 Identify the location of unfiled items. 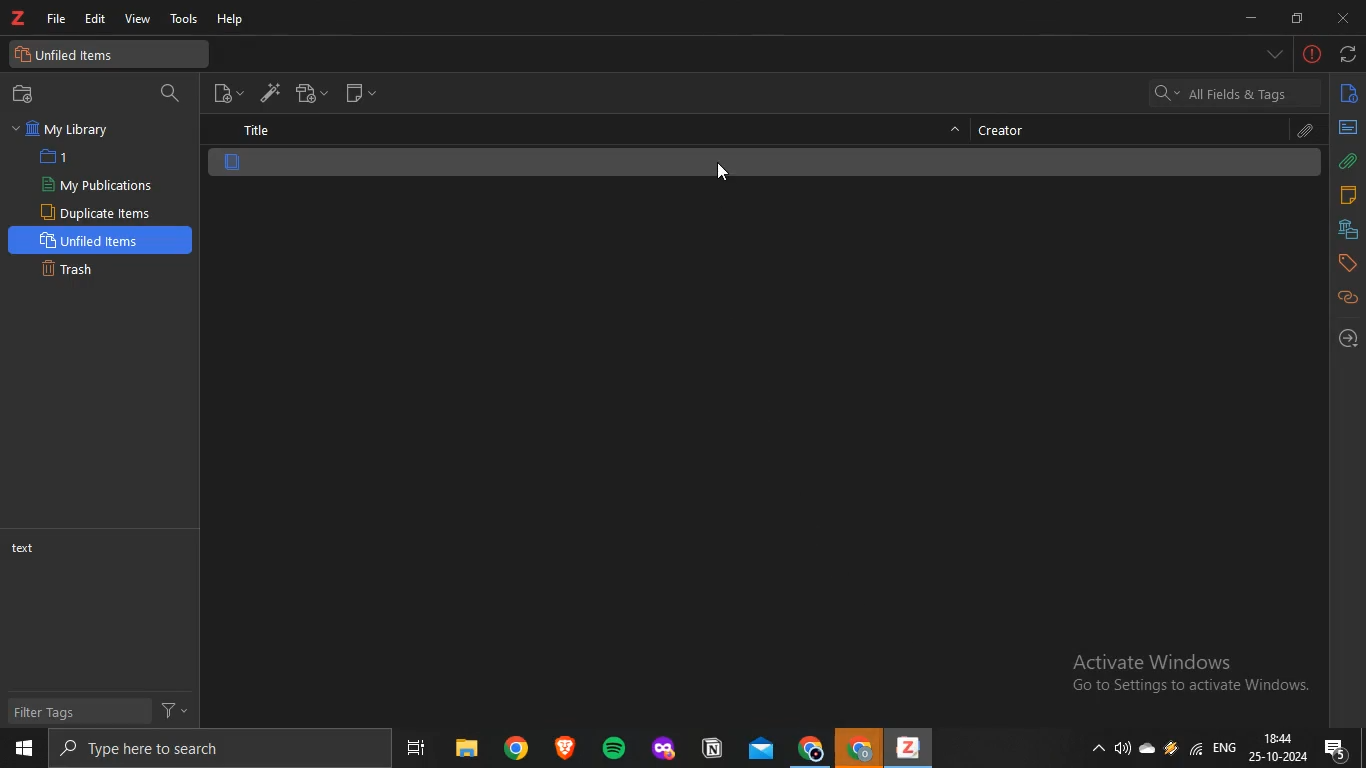
(111, 52).